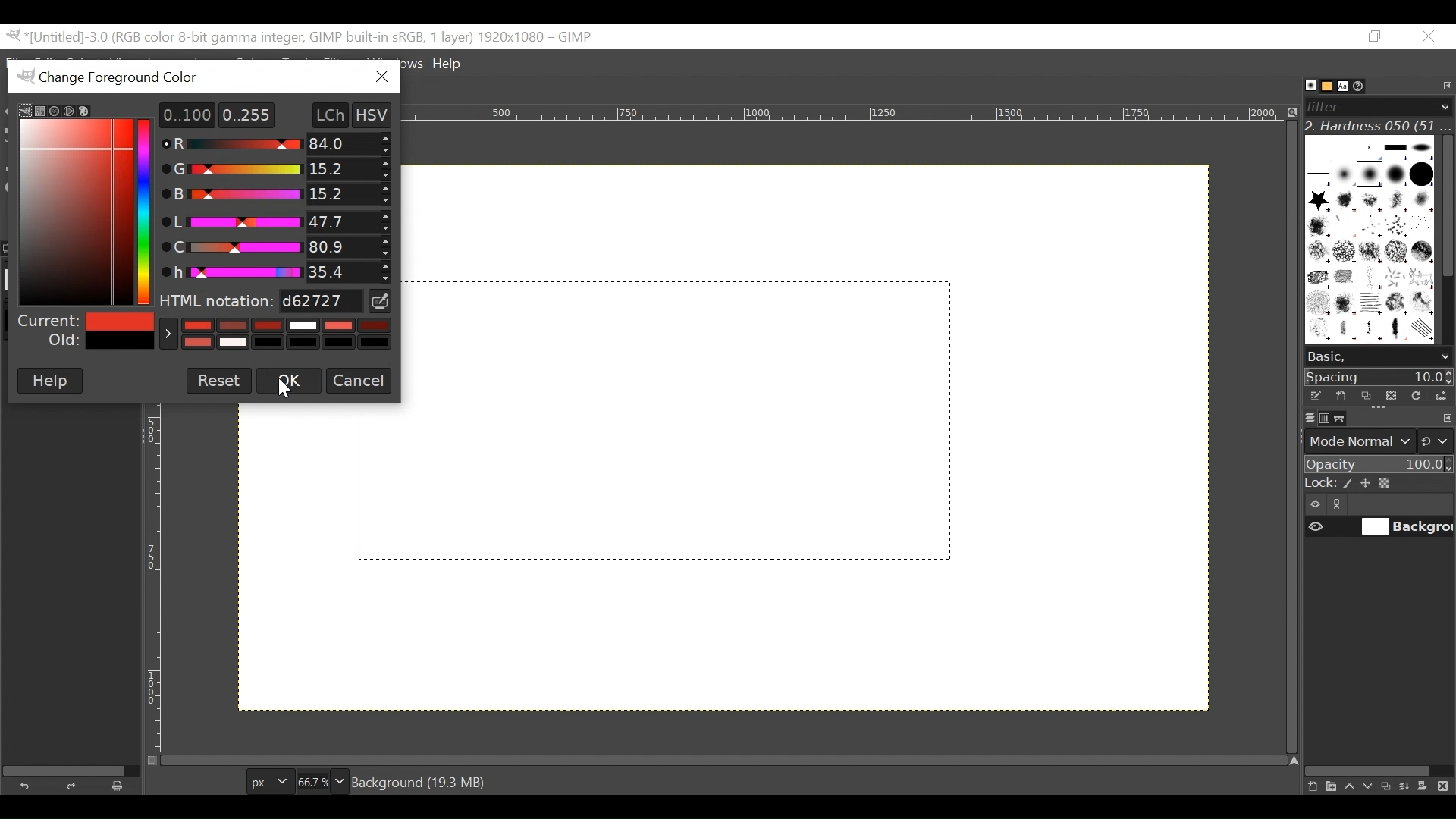  I want to click on 0.100, so click(181, 115).